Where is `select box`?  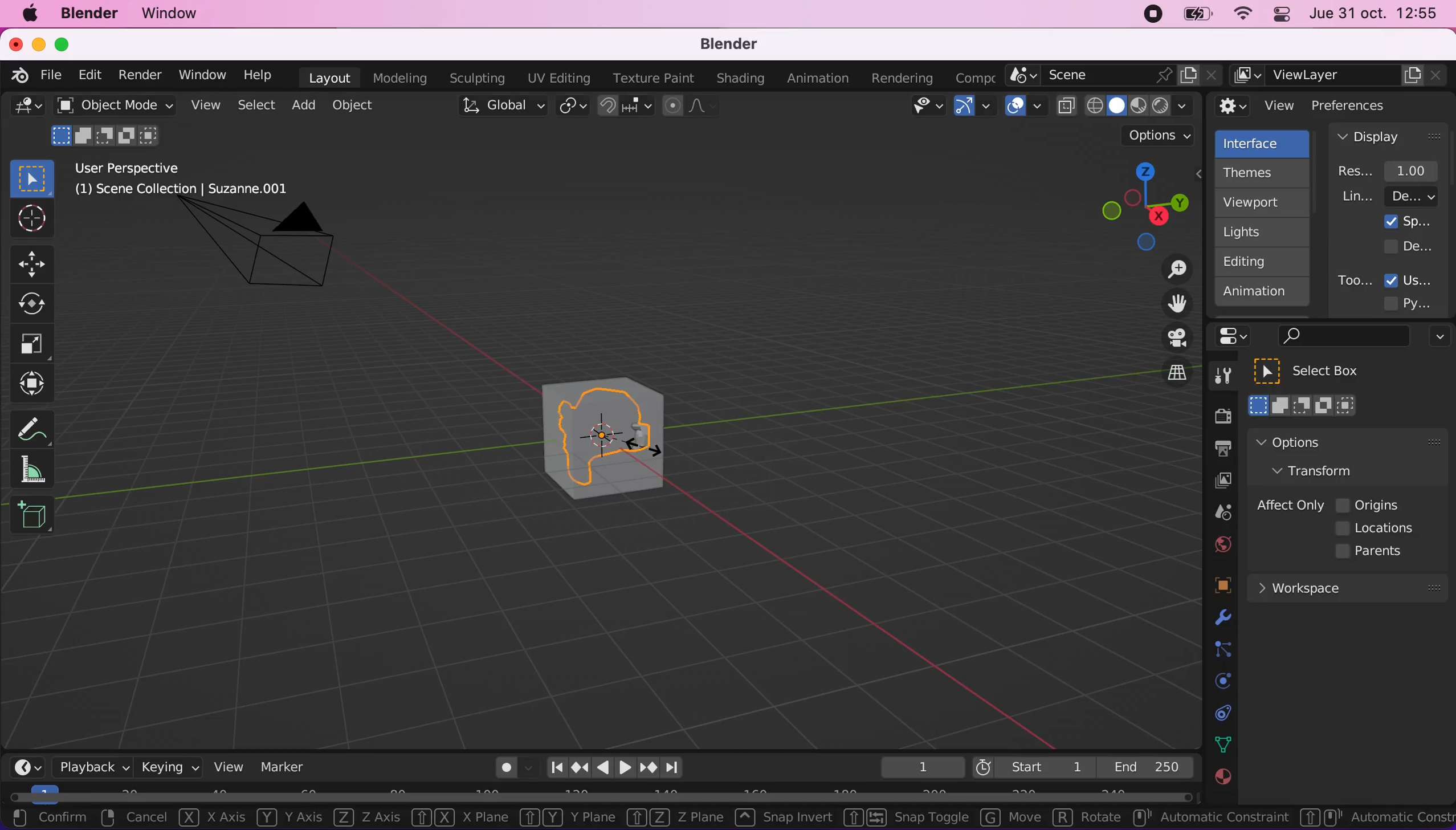 select box is located at coordinates (1321, 371).